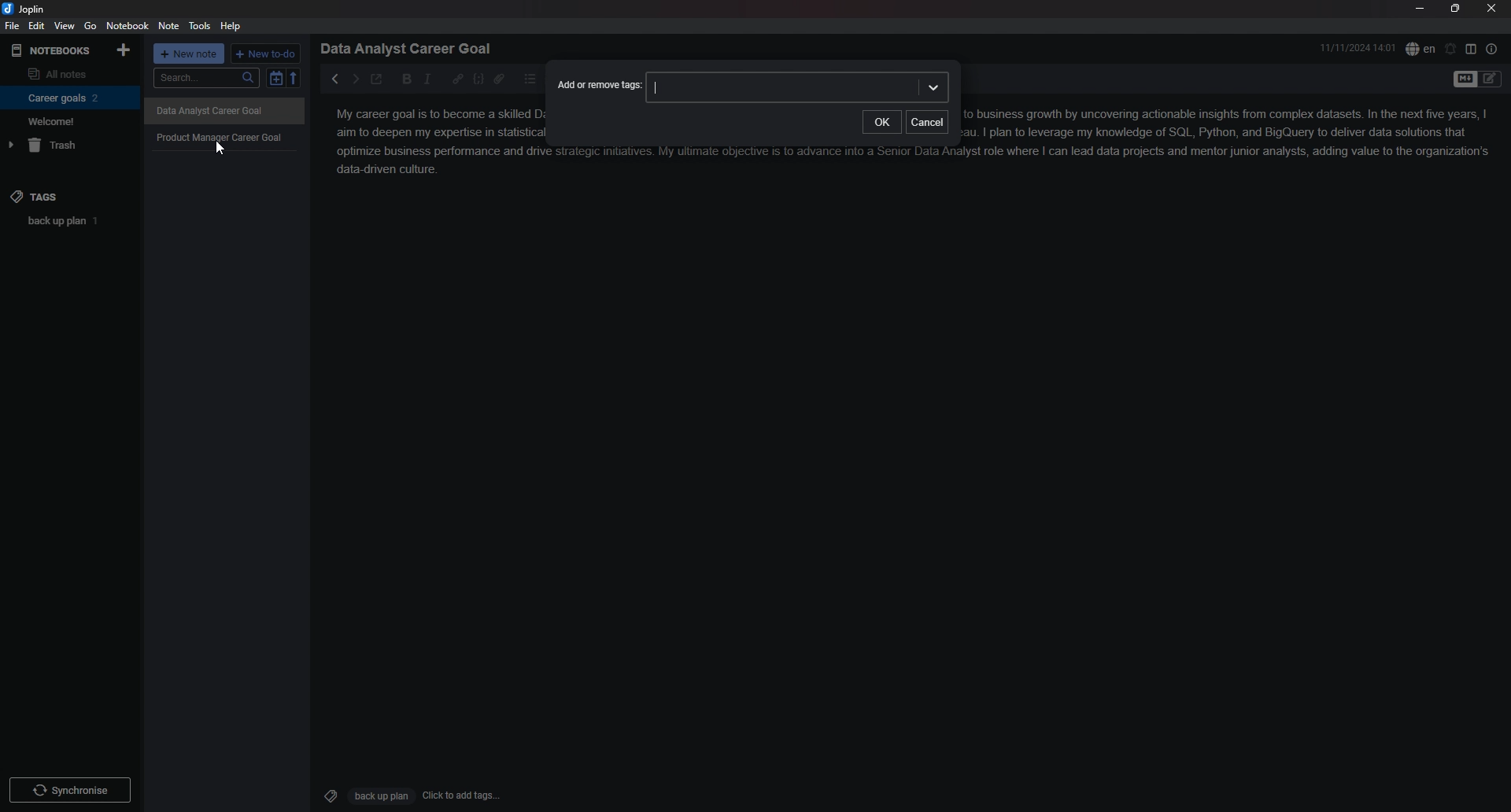 Image resolution: width=1511 pixels, height=812 pixels. Describe the element at coordinates (427, 79) in the screenshot. I see `italic` at that location.